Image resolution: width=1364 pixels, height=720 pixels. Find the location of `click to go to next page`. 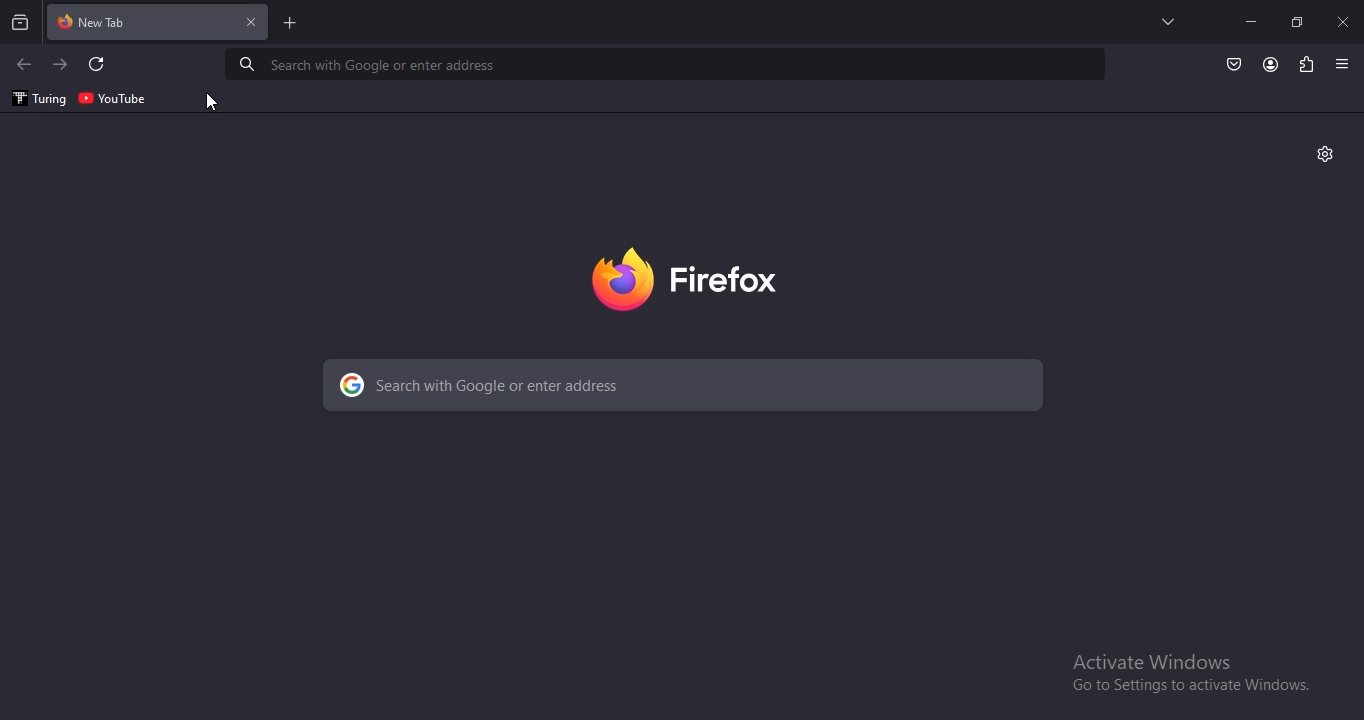

click to go to next page is located at coordinates (61, 64).